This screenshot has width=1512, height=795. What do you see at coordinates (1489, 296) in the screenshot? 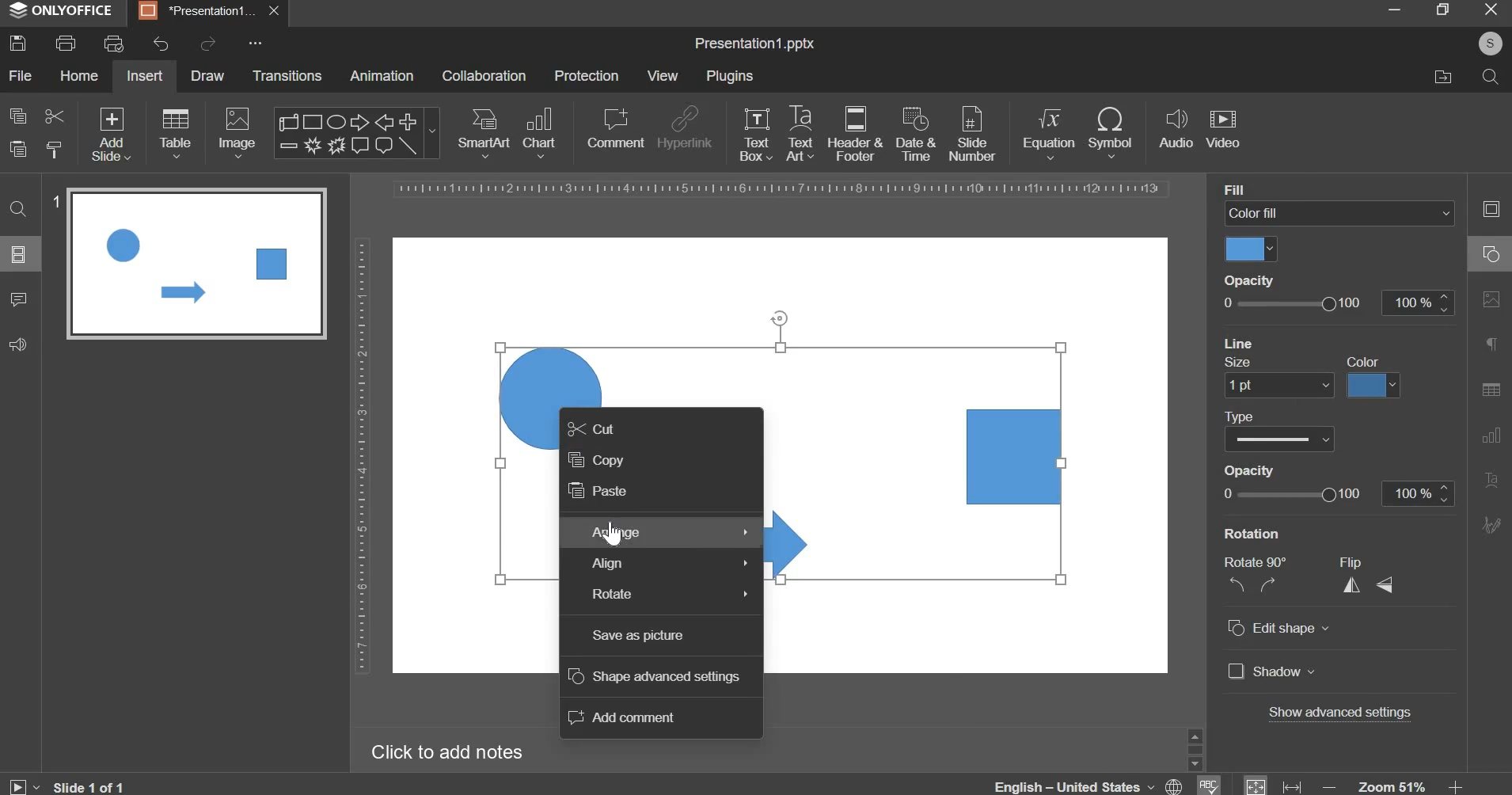
I see `image setting` at bounding box center [1489, 296].